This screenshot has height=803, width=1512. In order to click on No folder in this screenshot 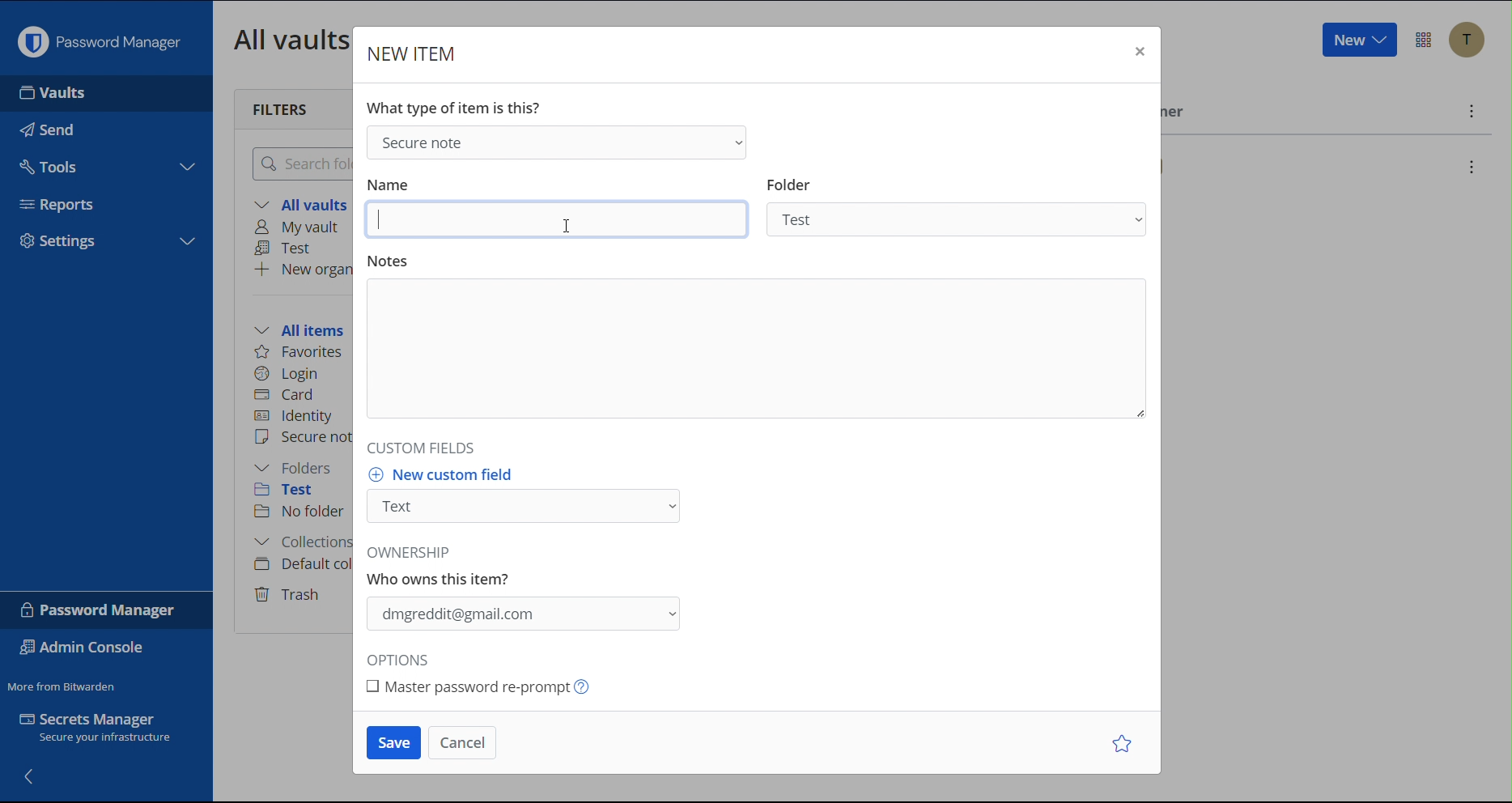, I will do `click(301, 512)`.